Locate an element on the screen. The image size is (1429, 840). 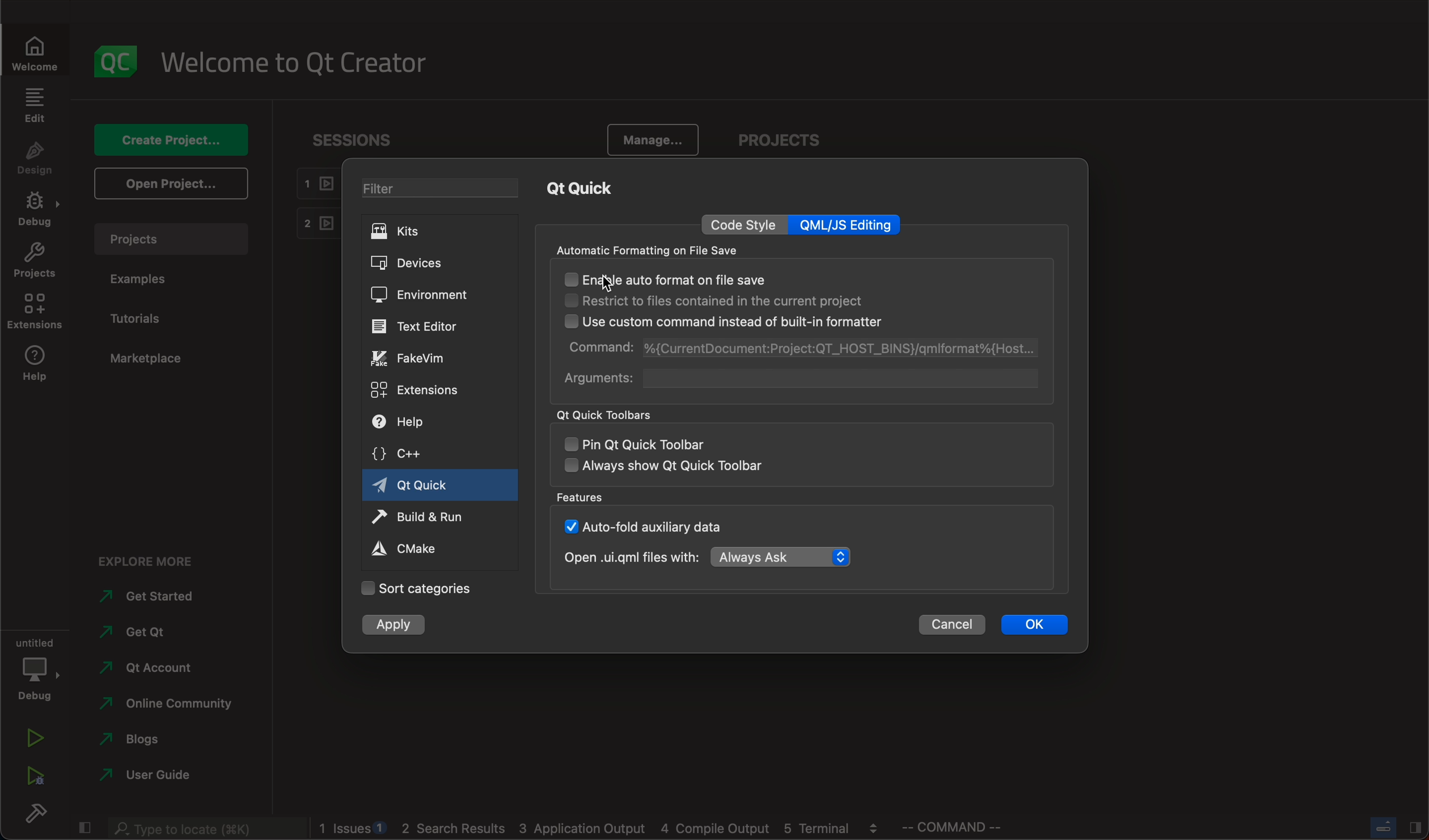
open is located at coordinates (170, 184).